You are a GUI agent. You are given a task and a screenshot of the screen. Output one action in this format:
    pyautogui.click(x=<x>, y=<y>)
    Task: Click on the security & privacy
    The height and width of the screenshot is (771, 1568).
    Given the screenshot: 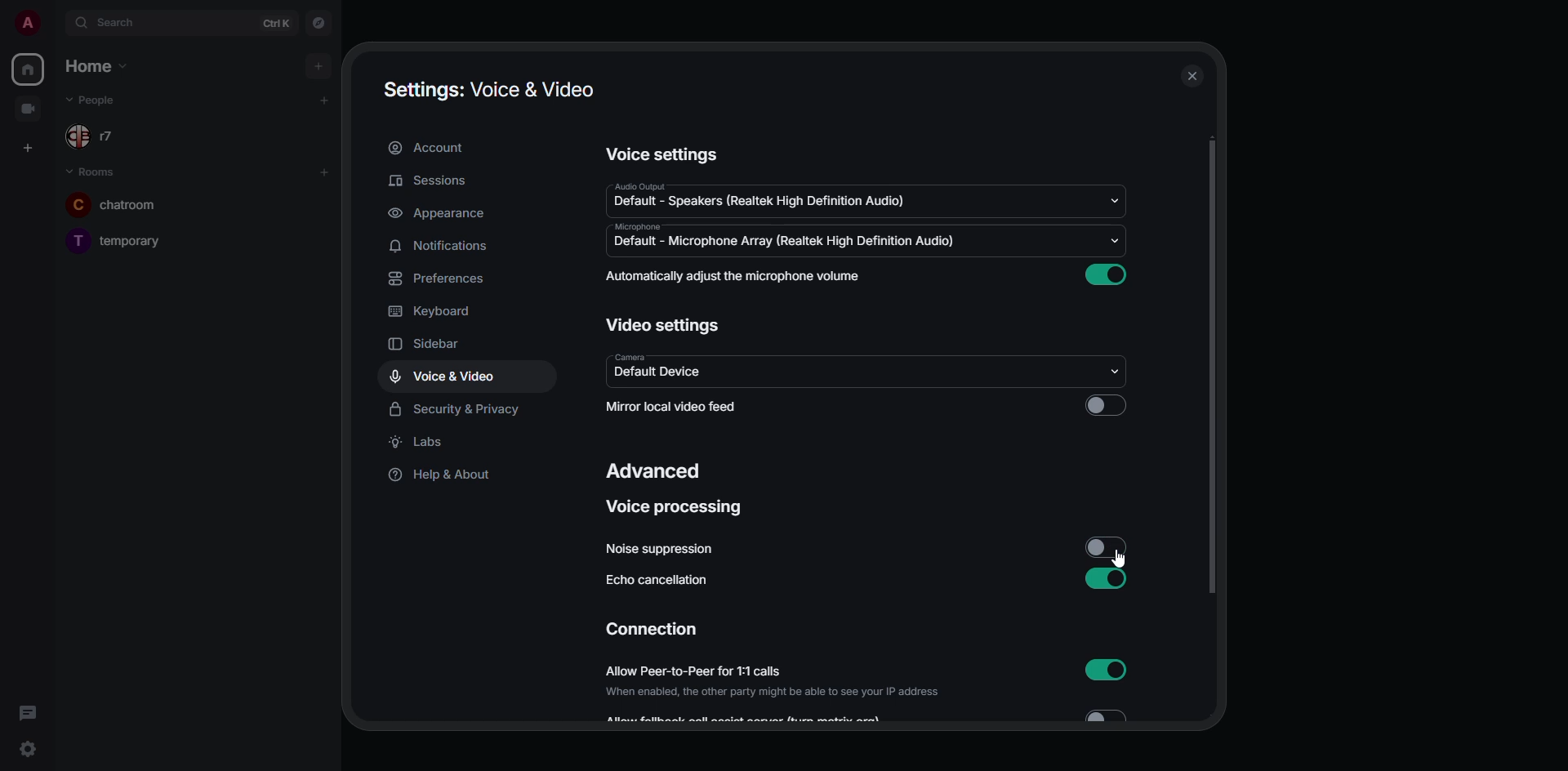 What is the action you would take?
    pyautogui.click(x=458, y=407)
    